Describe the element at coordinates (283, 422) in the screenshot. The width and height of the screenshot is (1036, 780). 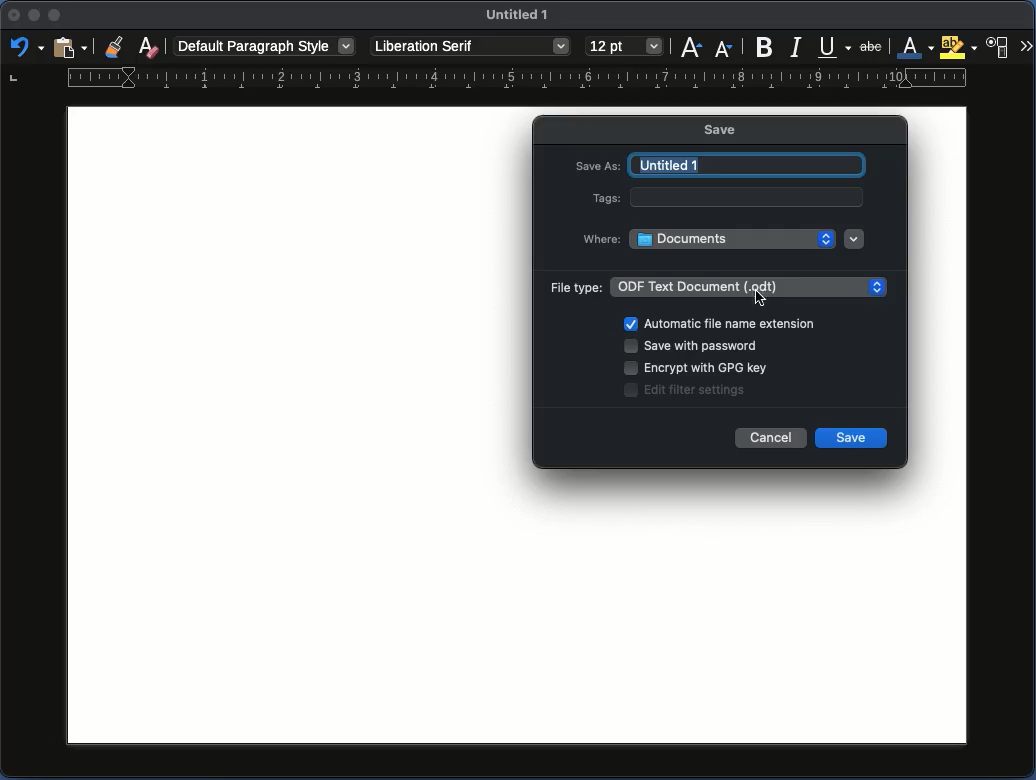
I see `Page` at that location.